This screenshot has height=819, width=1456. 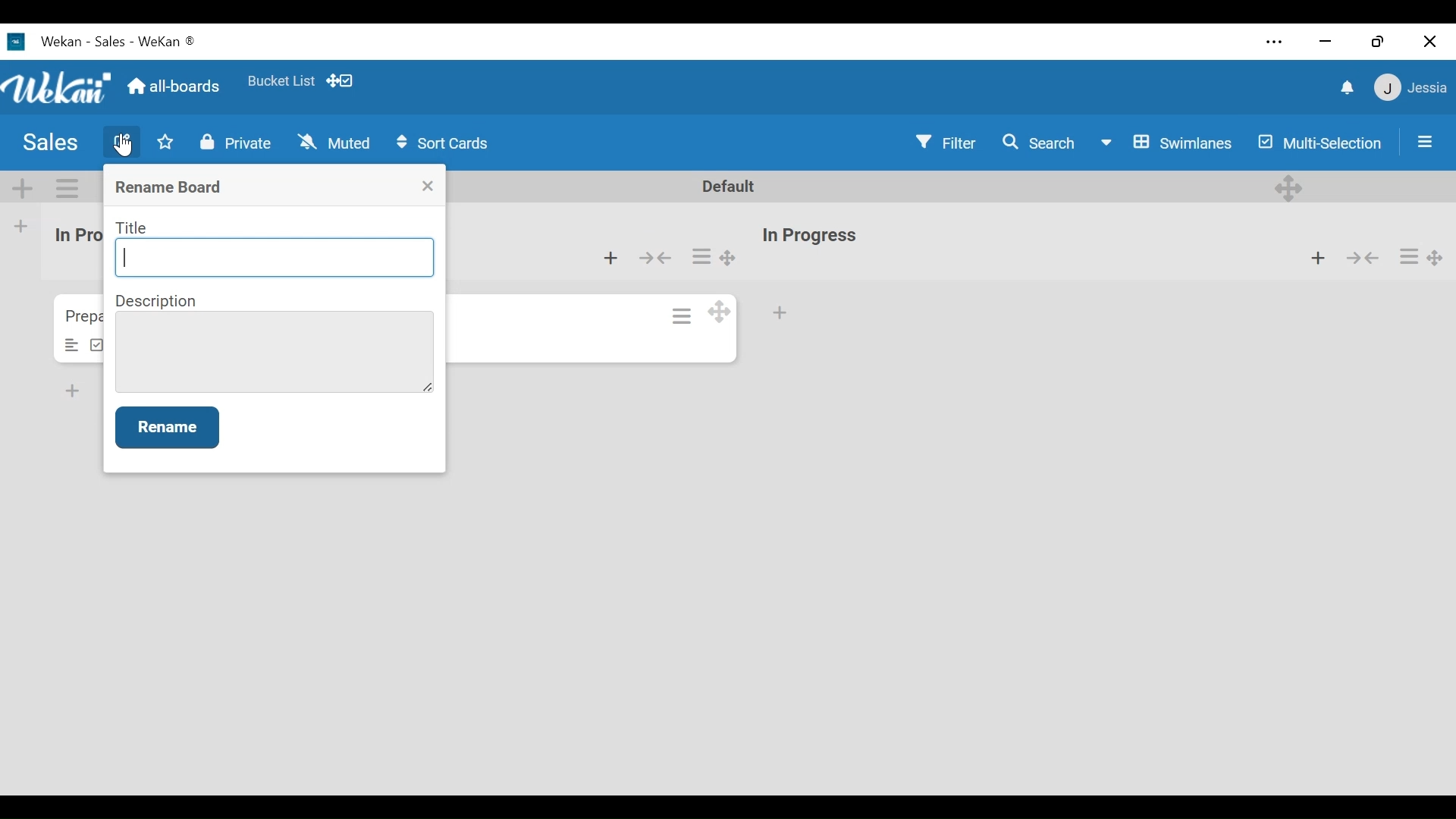 What do you see at coordinates (81, 40) in the screenshot?
I see `Wekan` at bounding box center [81, 40].